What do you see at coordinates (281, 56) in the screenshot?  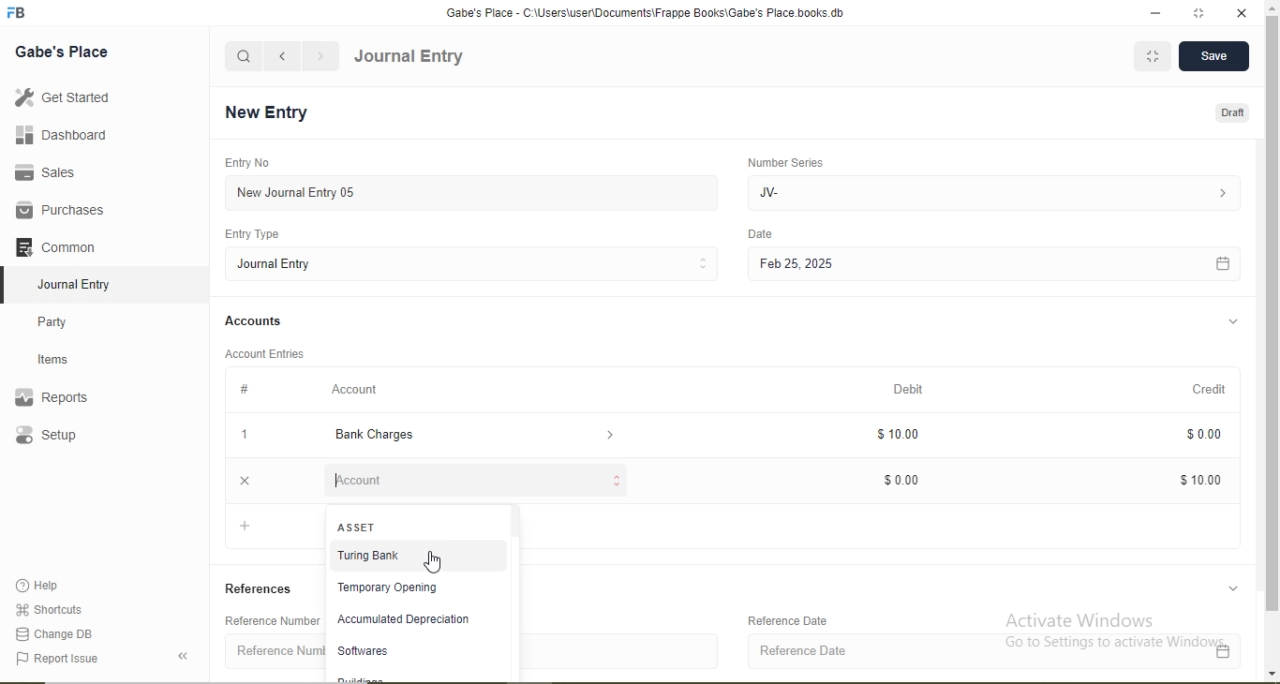 I see `navigate backward` at bounding box center [281, 56].